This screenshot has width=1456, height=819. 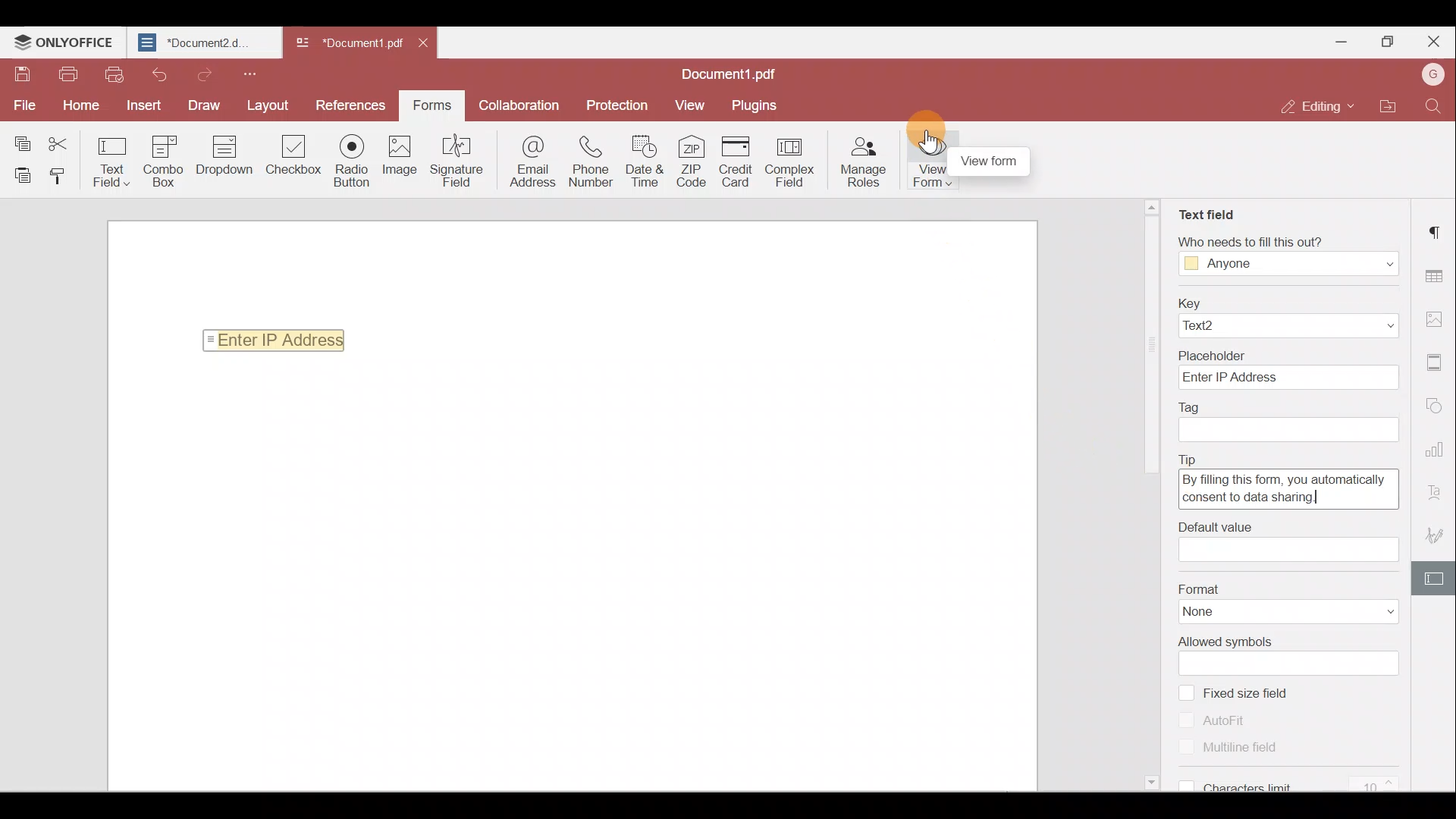 I want to click on References, so click(x=347, y=104).